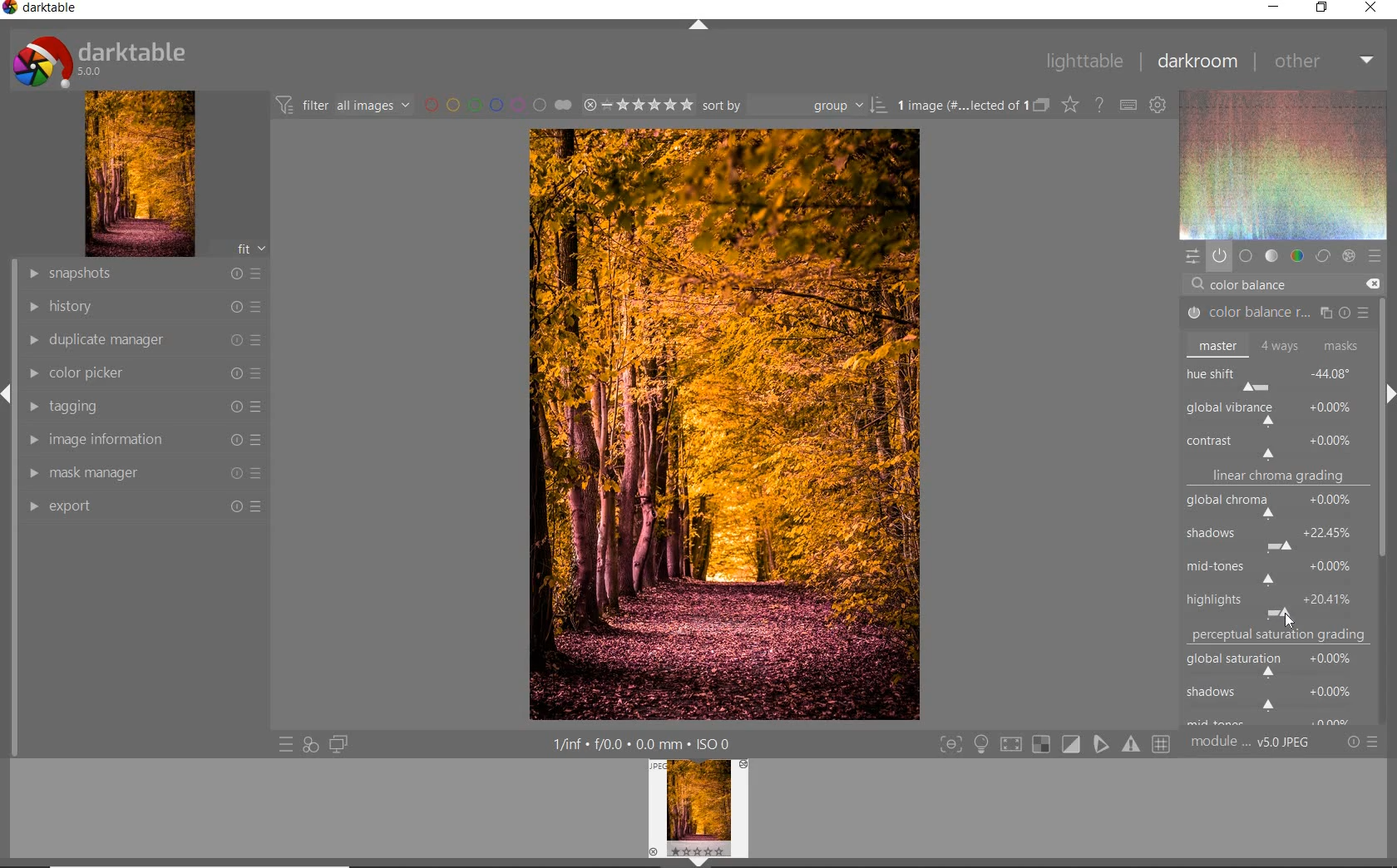 The image size is (1397, 868). Describe the element at coordinates (1384, 330) in the screenshot. I see `scrollbar` at that location.